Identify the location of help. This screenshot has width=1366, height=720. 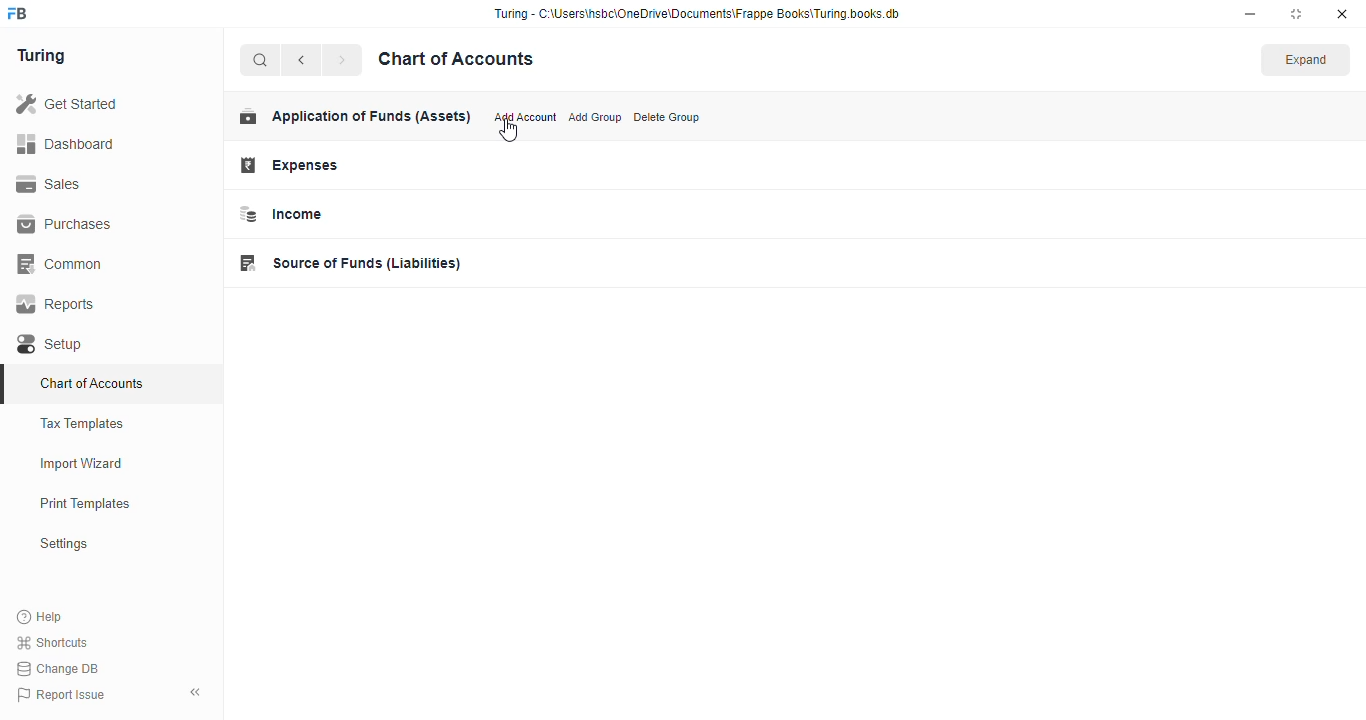
(40, 616).